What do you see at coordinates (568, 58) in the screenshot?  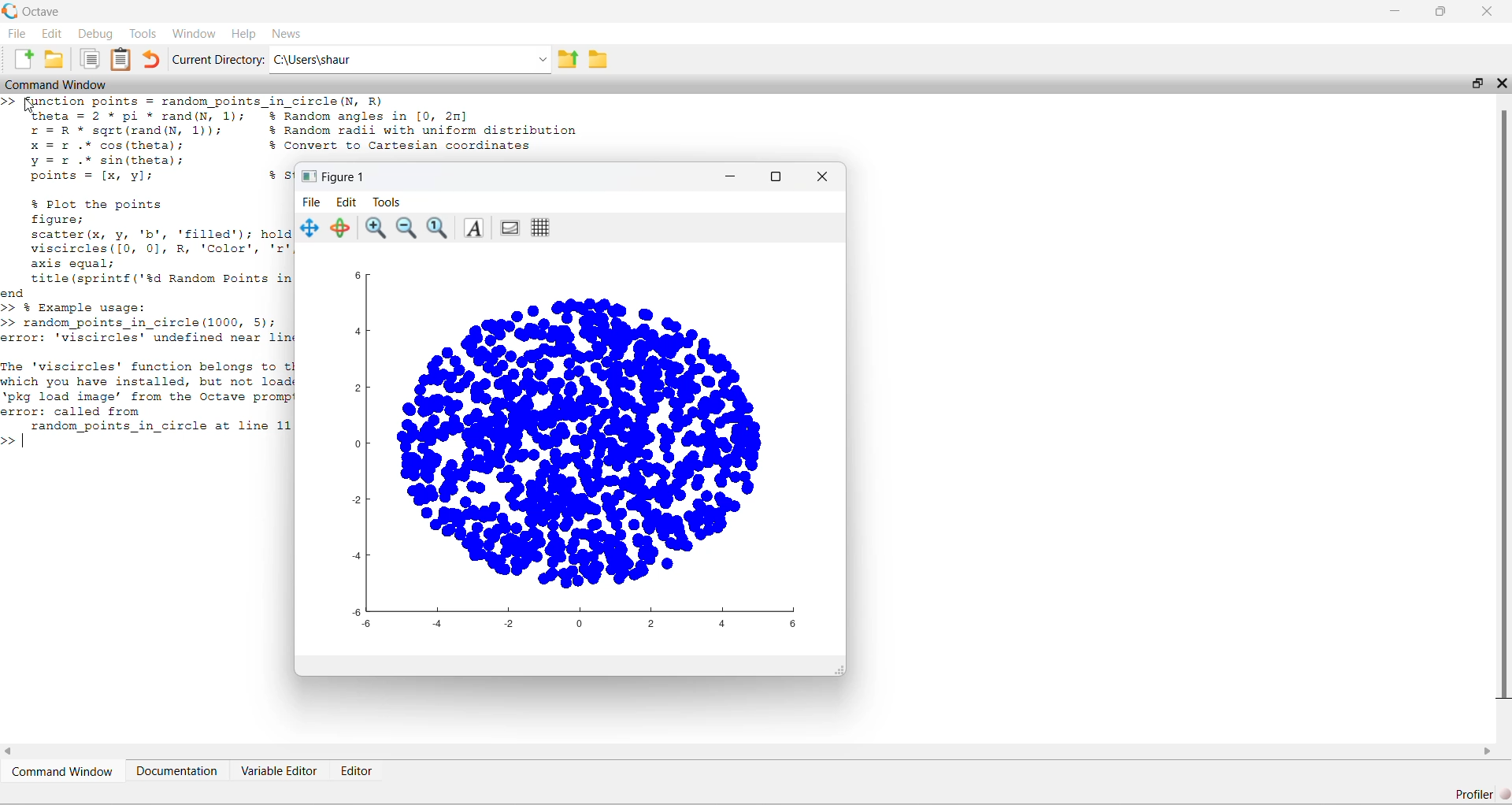 I see `One directory up` at bounding box center [568, 58].